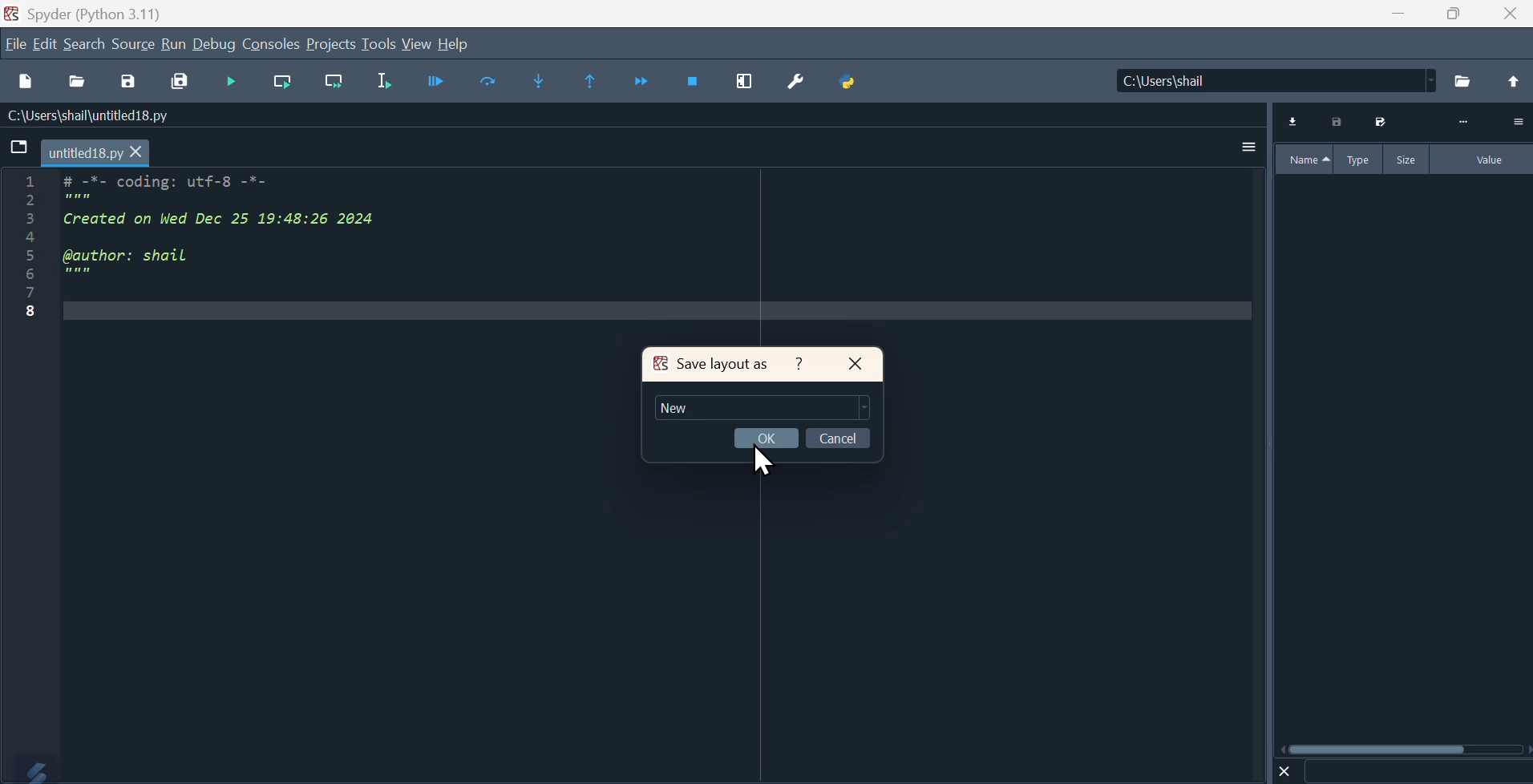  I want to click on Save, so click(1378, 122).